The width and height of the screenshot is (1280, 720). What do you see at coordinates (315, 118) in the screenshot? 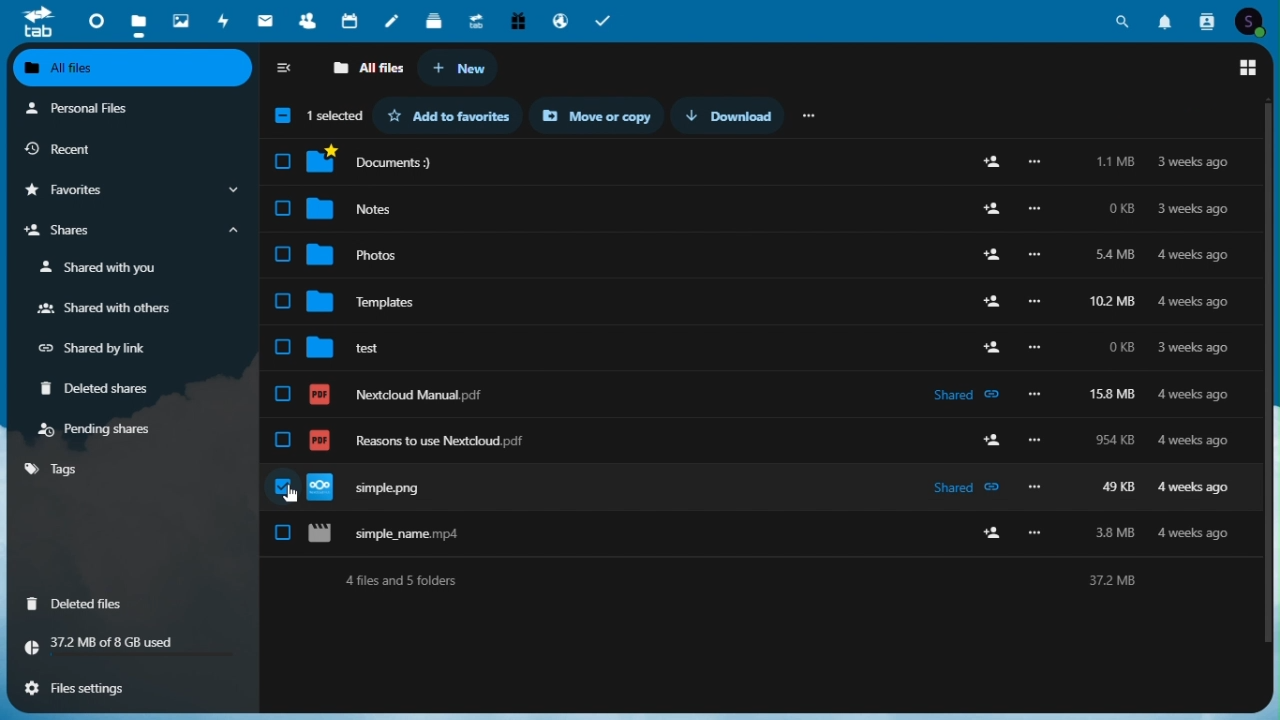
I see `1 selected` at bounding box center [315, 118].